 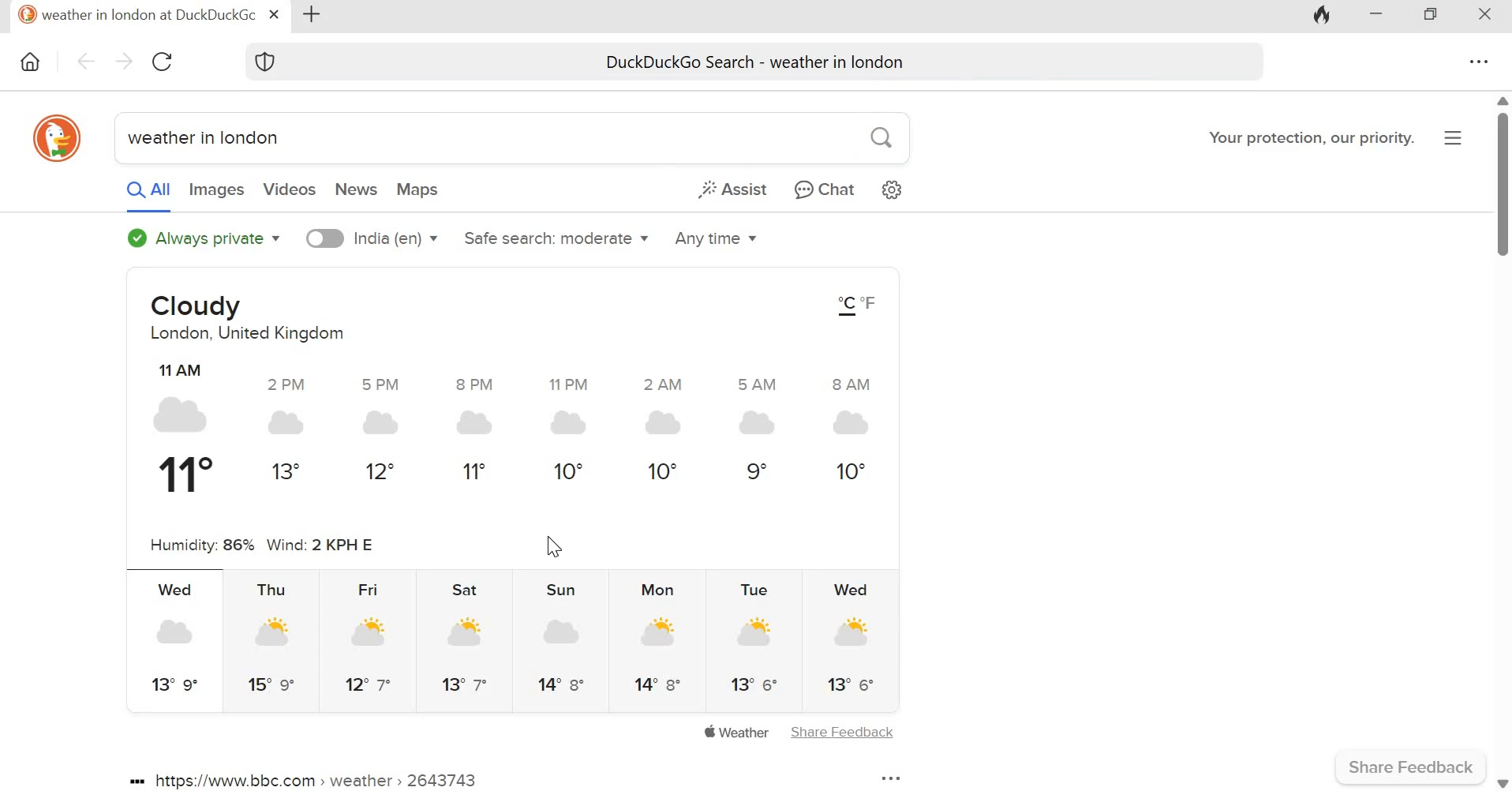 What do you see at coordinates (842, 732) in the screenshot?
I see `Share Feedback` at bounding box center [842, 732].